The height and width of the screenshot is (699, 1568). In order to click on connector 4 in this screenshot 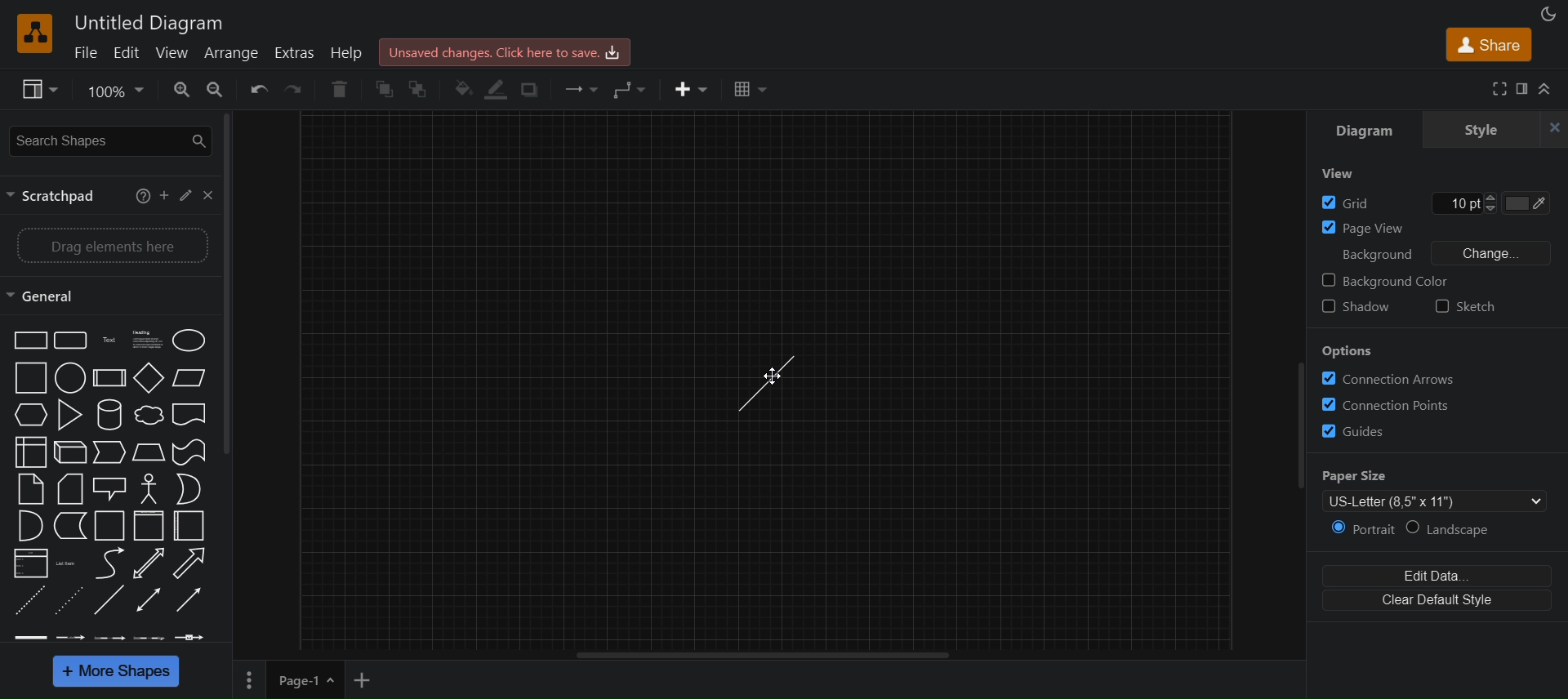, I will do `click(149, 637)`.